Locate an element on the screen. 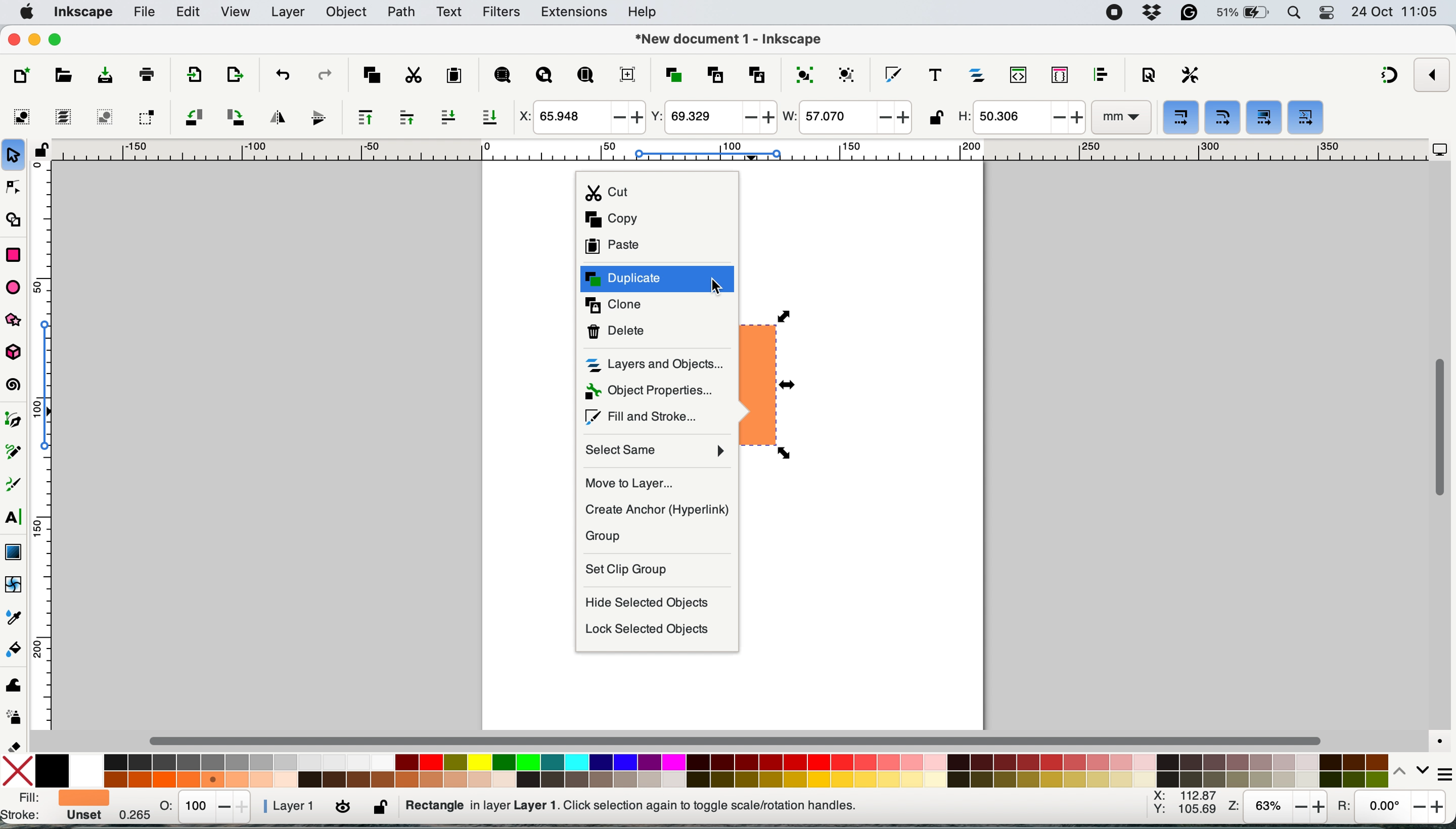 Image resolution: width=1456 pixels, height=829 pixels. dropper tool is located at coordinates (15, 617).